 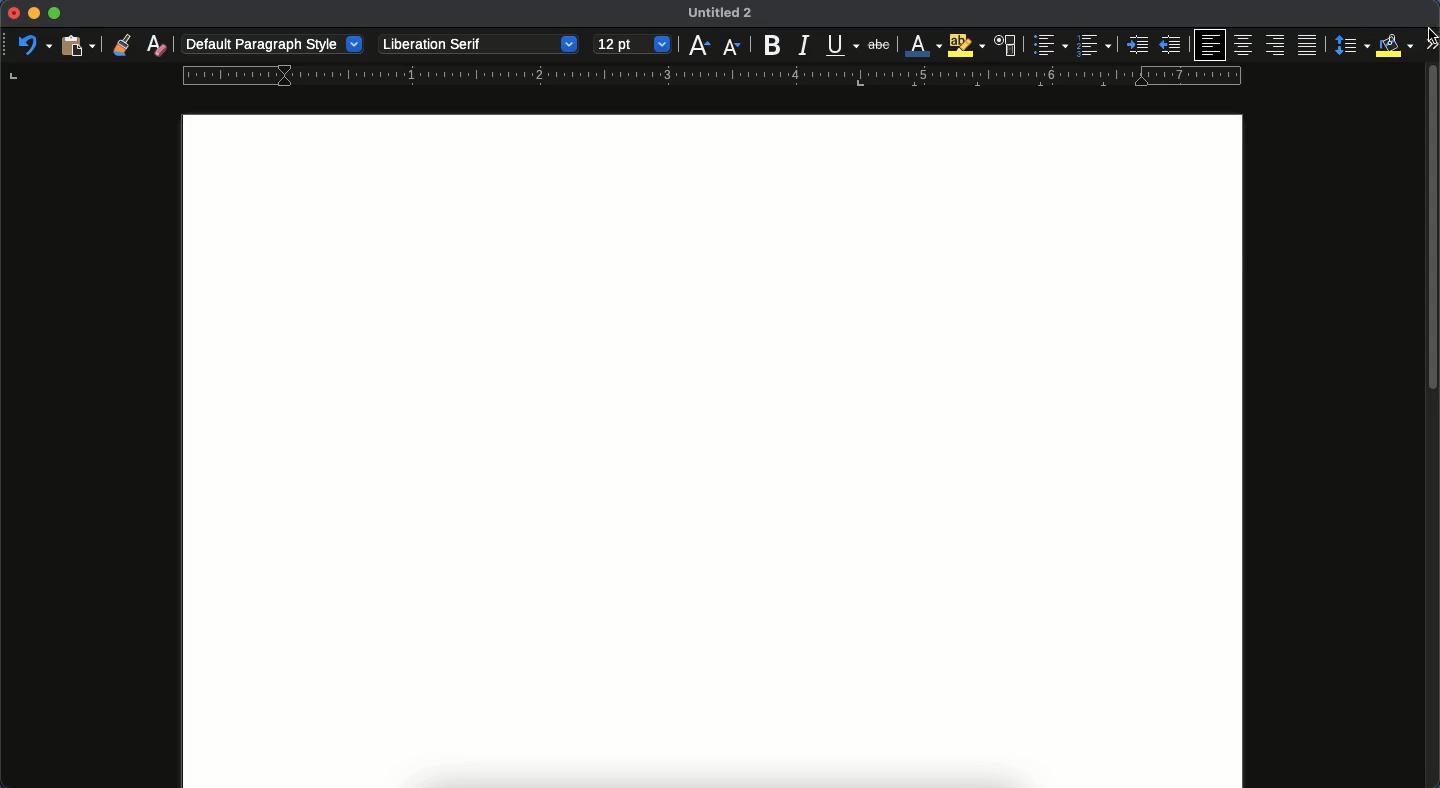 I want to click on font color, so click(x=923, y=44).